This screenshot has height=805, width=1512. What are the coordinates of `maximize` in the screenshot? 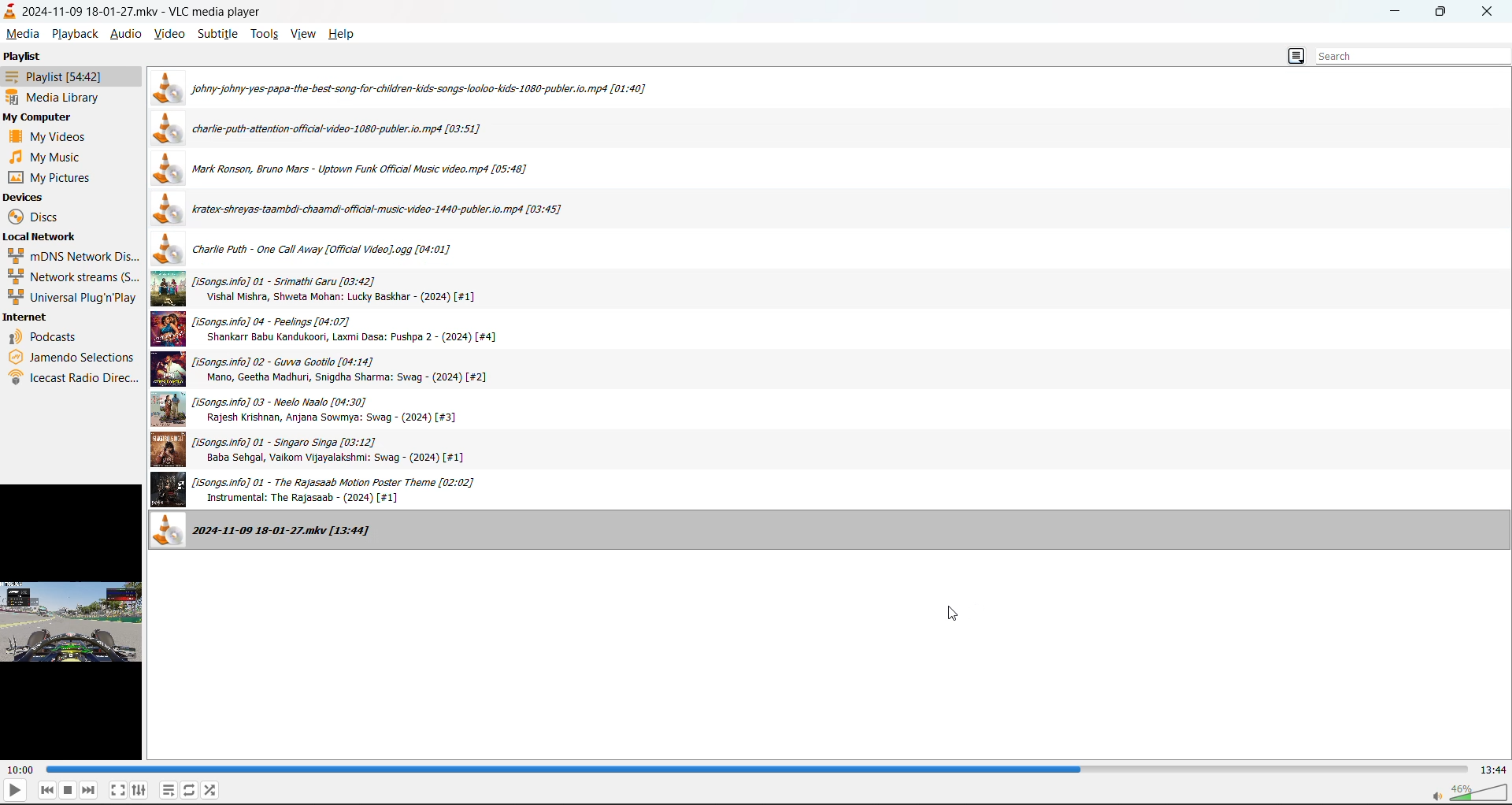 It's located at (1441, 16).